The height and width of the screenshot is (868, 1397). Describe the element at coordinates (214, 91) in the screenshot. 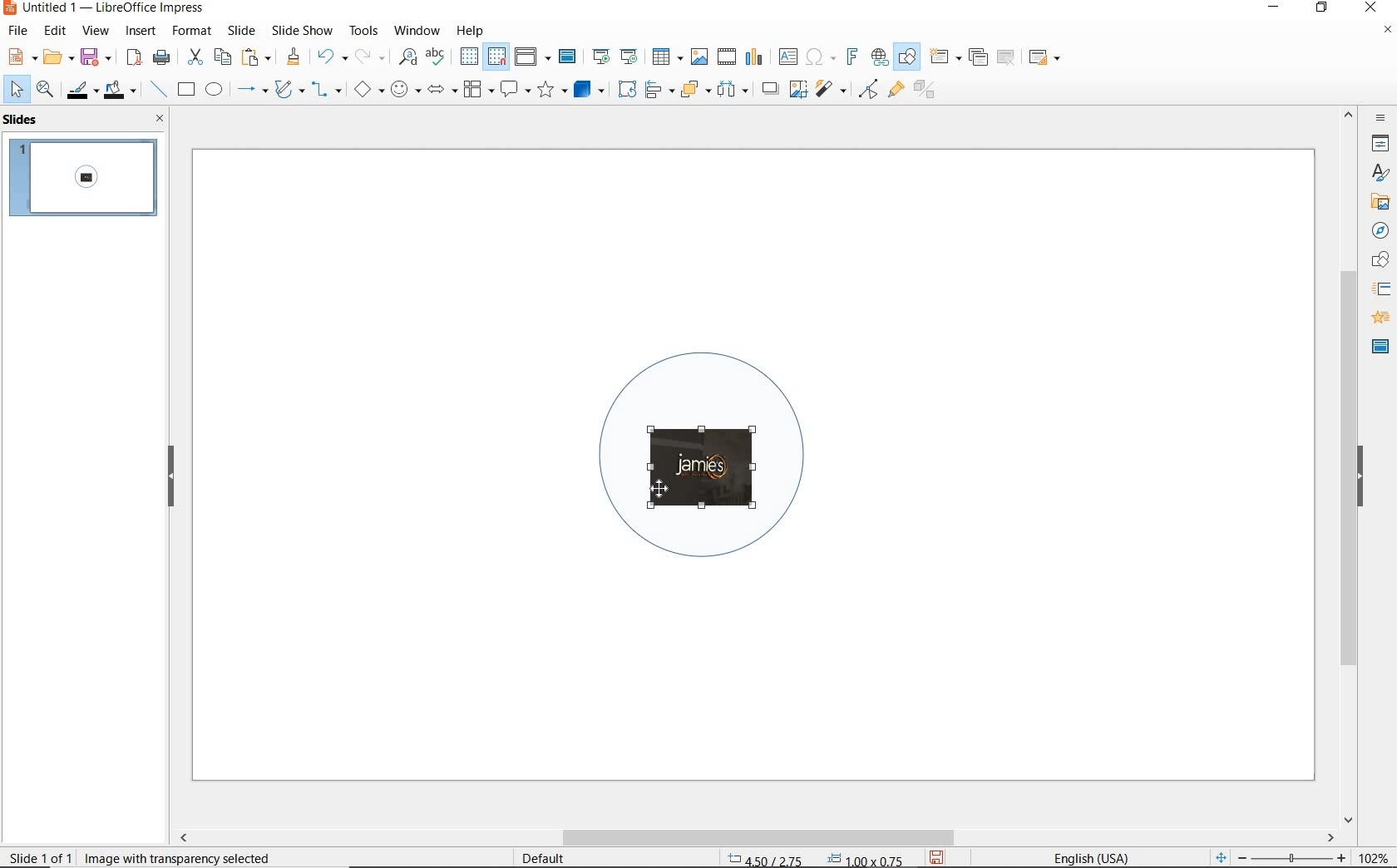

I see `ellipse` at that location.